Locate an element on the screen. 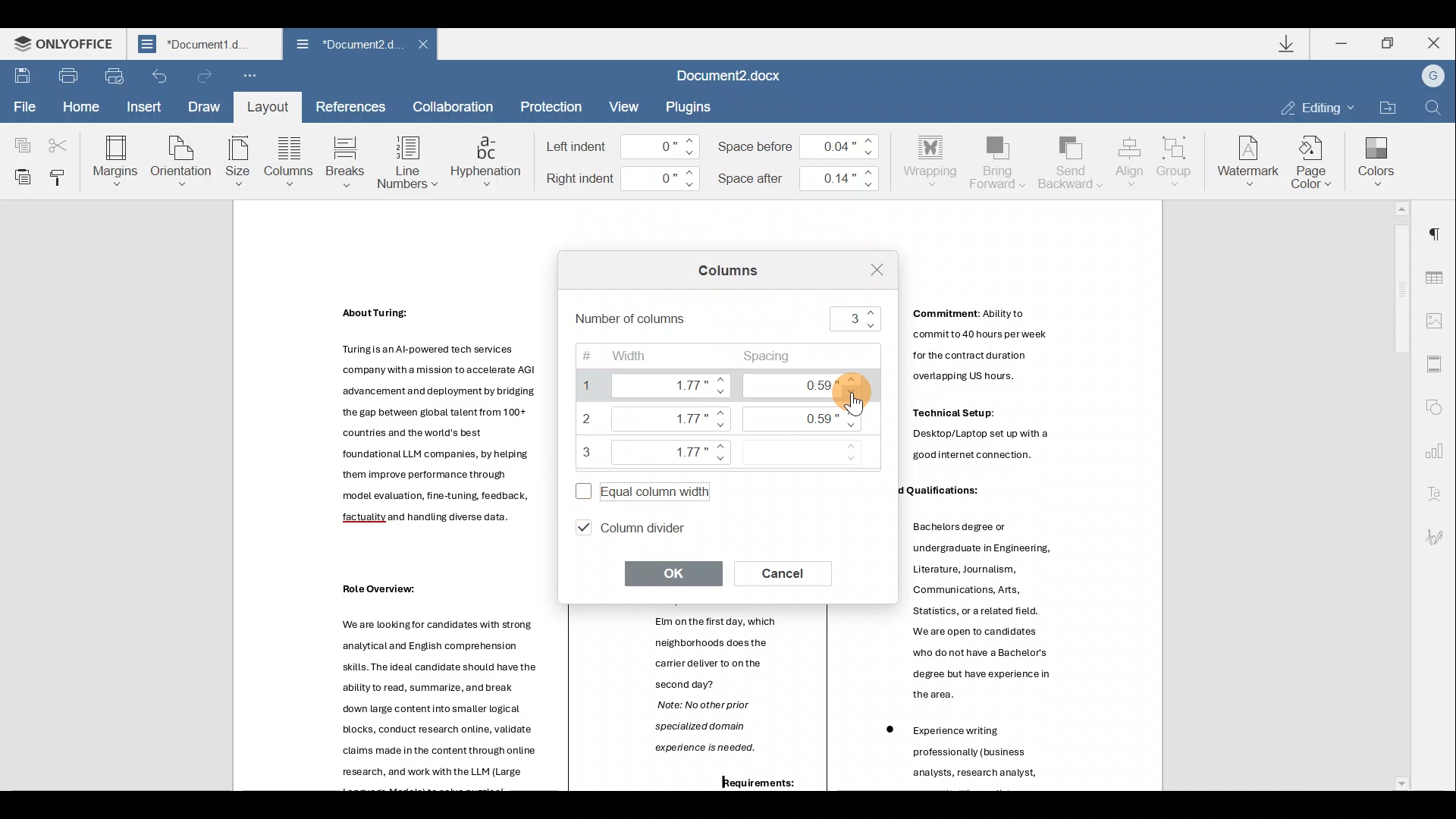 This screenshot has height=819, width=1456. Group is located at coordinates (1177, 157).